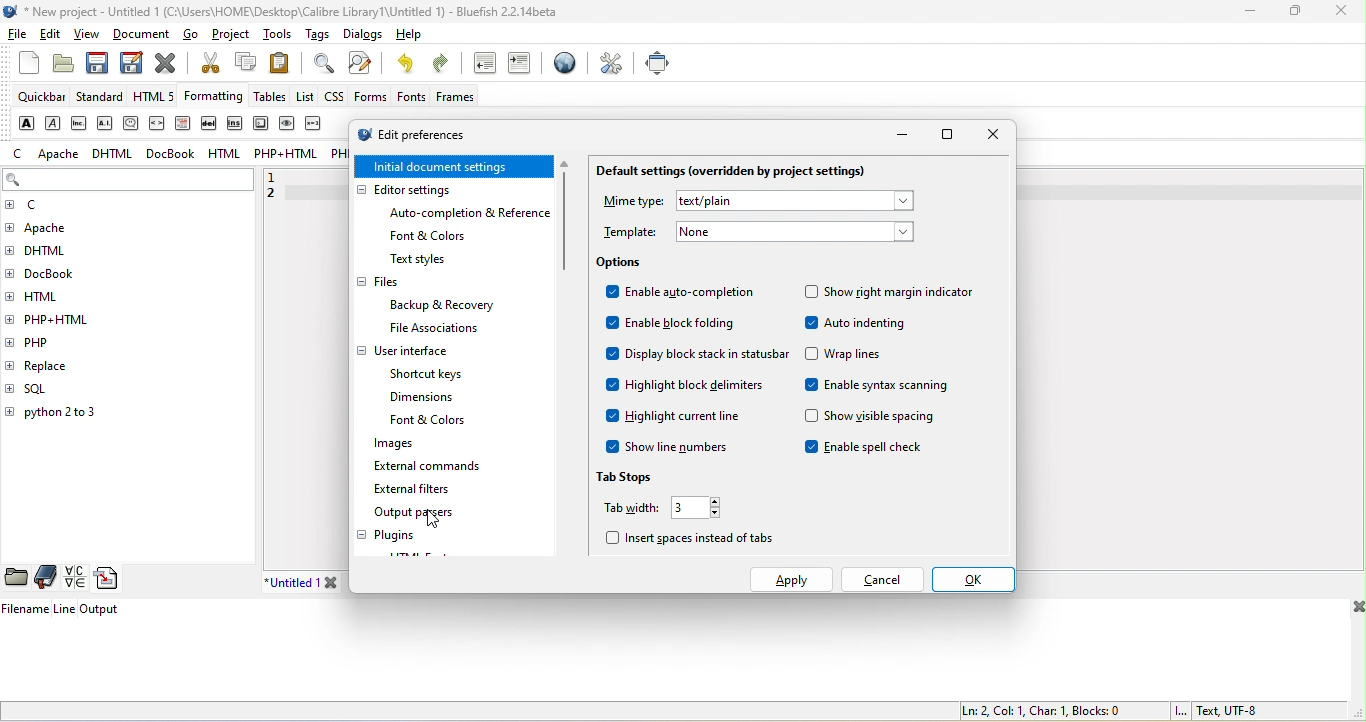  What do you see at coordinates (233, 37) in the screenshot?
I see `project` at bounding box center [233, 37].